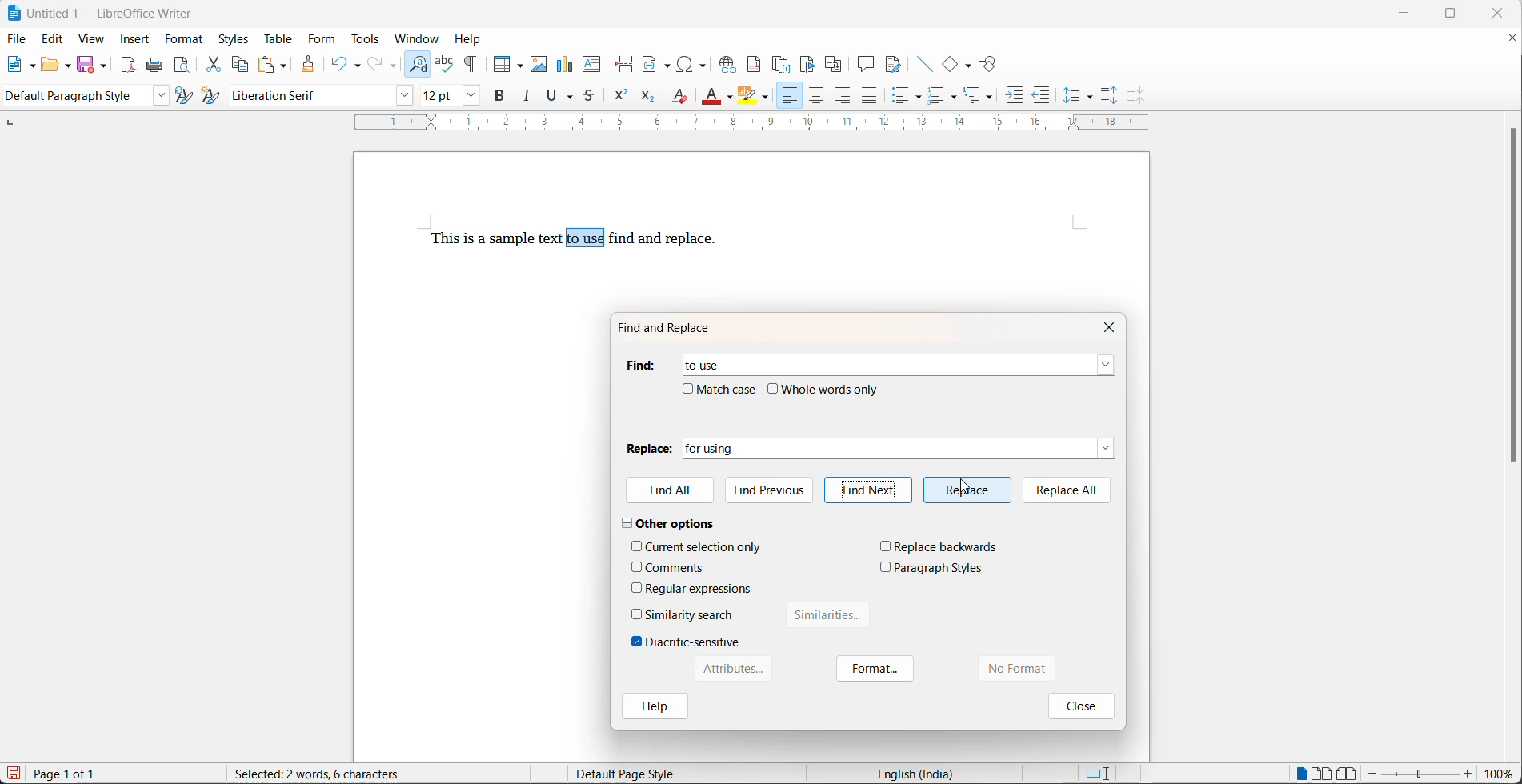 The width and height of the screenshot is (1522, 784). Describe the element at coordinates (70, 774) in the screenshot. I see `Page 1 of 1` at that location.